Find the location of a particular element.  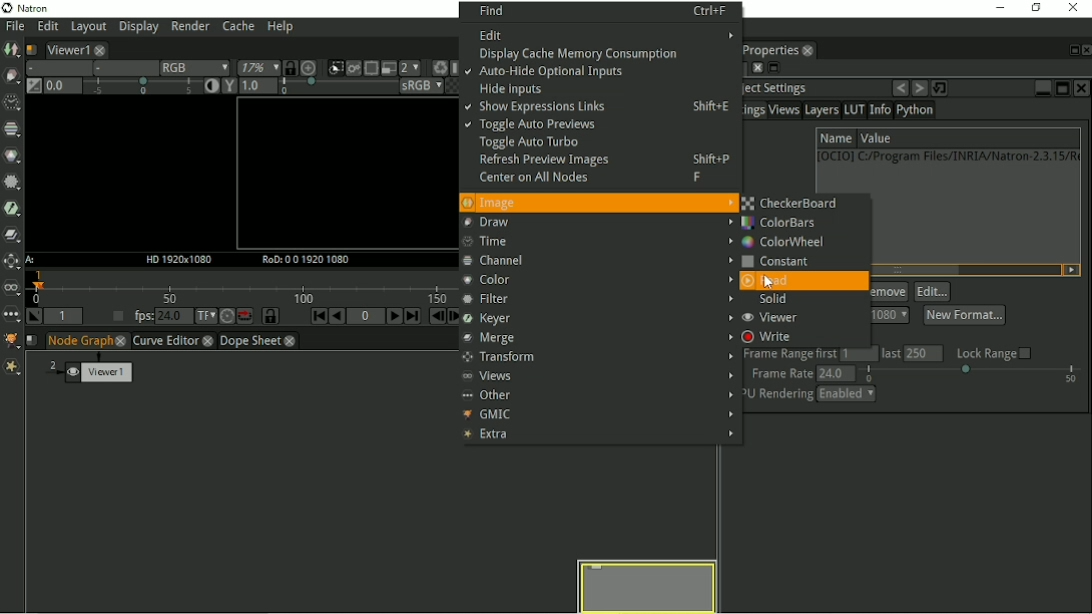

Float pane is located at coordinates (774, 69).